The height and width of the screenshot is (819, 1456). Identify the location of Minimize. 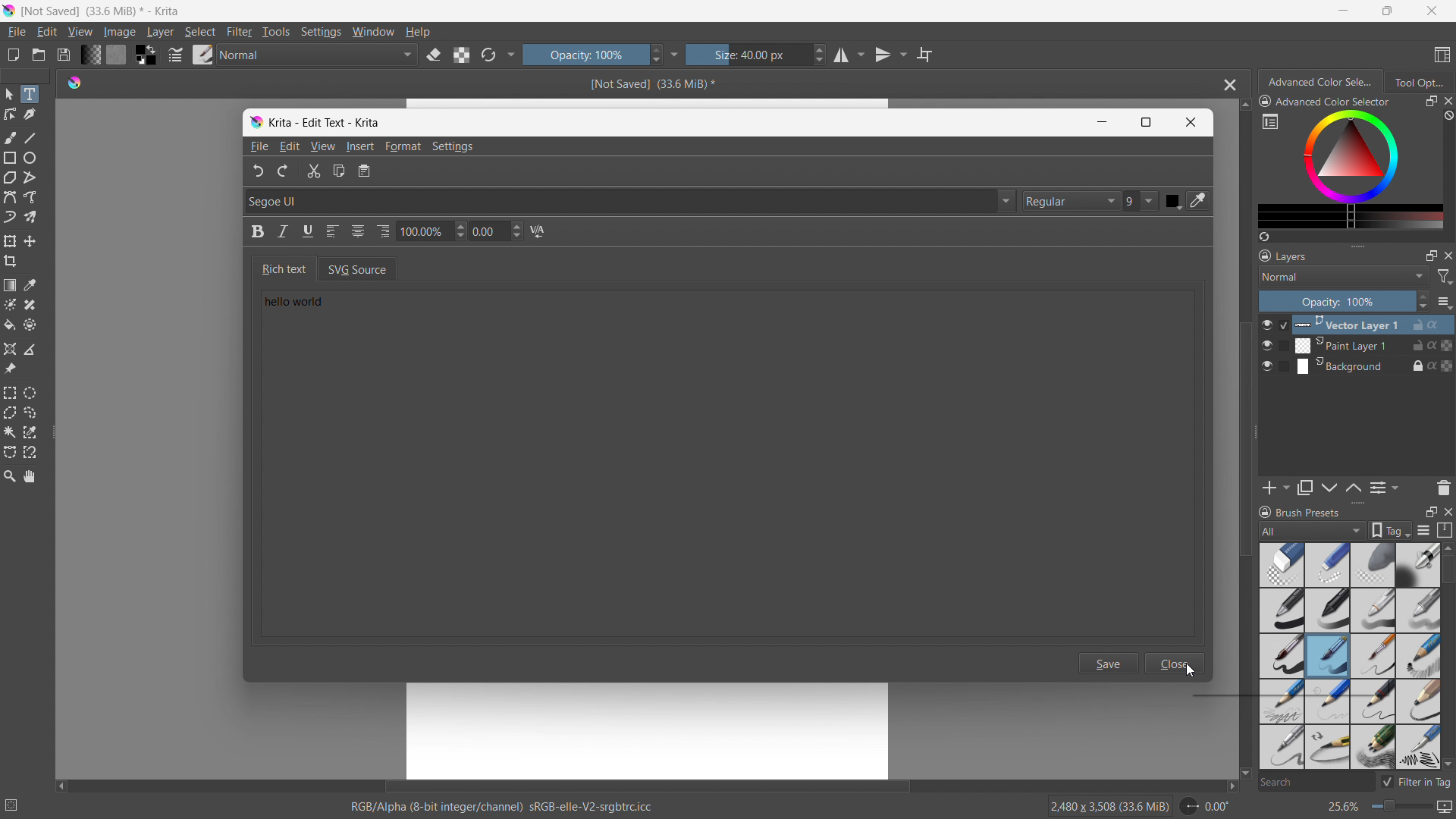
(1099, 122).